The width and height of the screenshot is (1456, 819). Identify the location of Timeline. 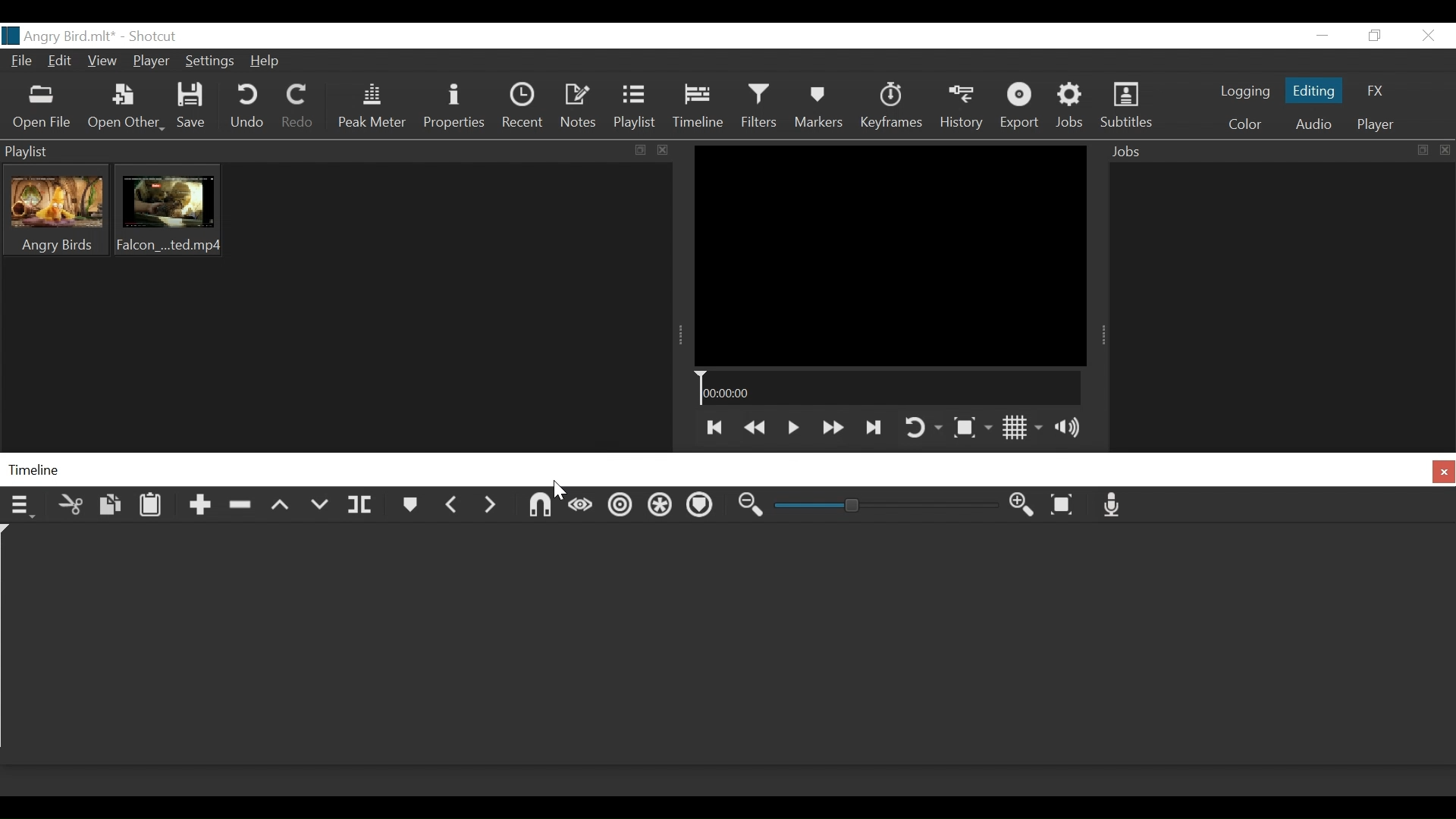
(888, 389).